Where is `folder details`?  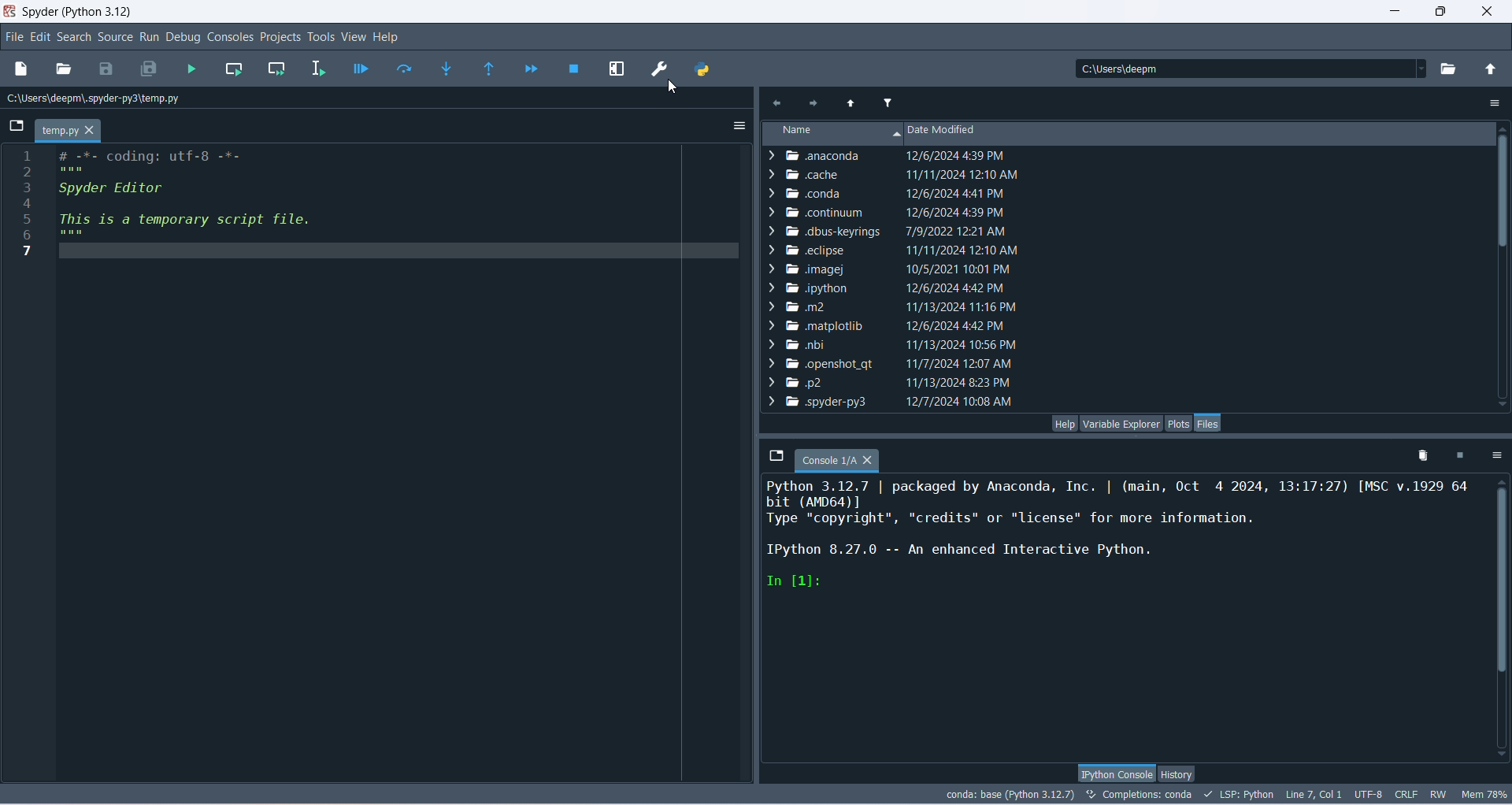
folder details is located at coordinates (890, 247).